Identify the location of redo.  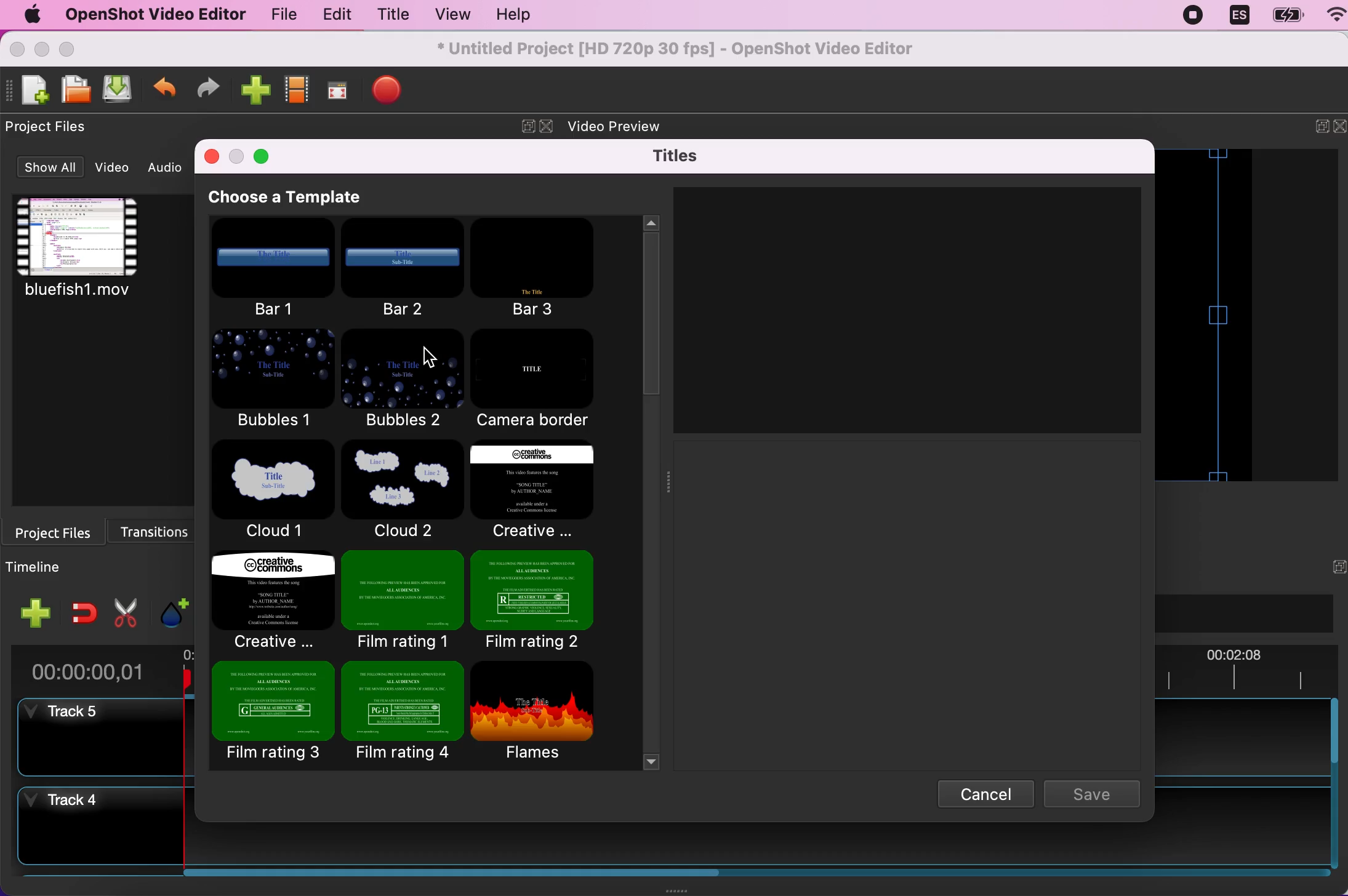
(208, 90).